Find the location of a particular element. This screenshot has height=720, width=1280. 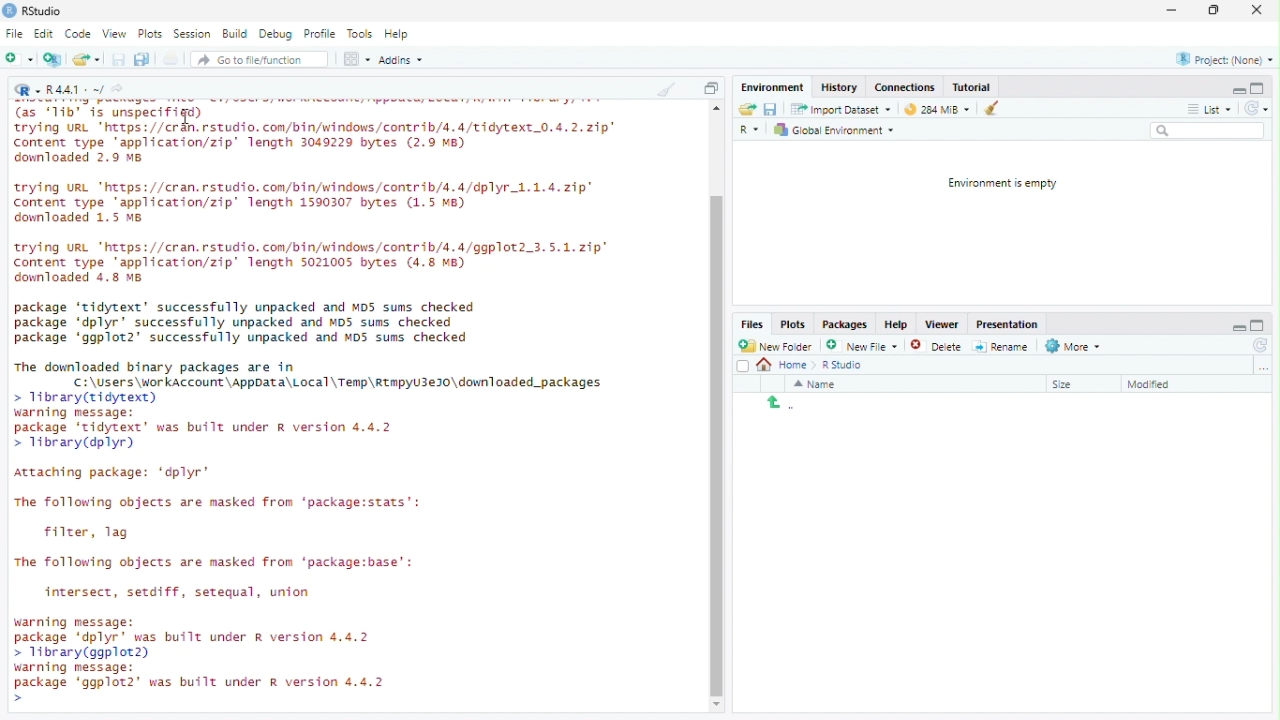

Build is located at coordinates (234, 32).